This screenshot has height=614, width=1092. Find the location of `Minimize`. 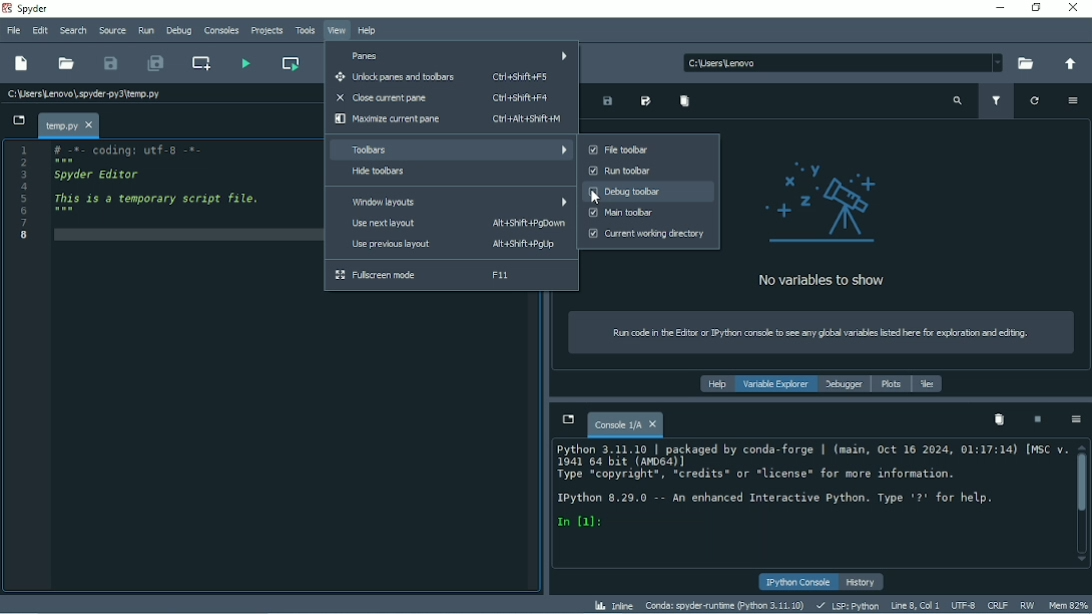

Minimize is located at coordinates (996, 7).